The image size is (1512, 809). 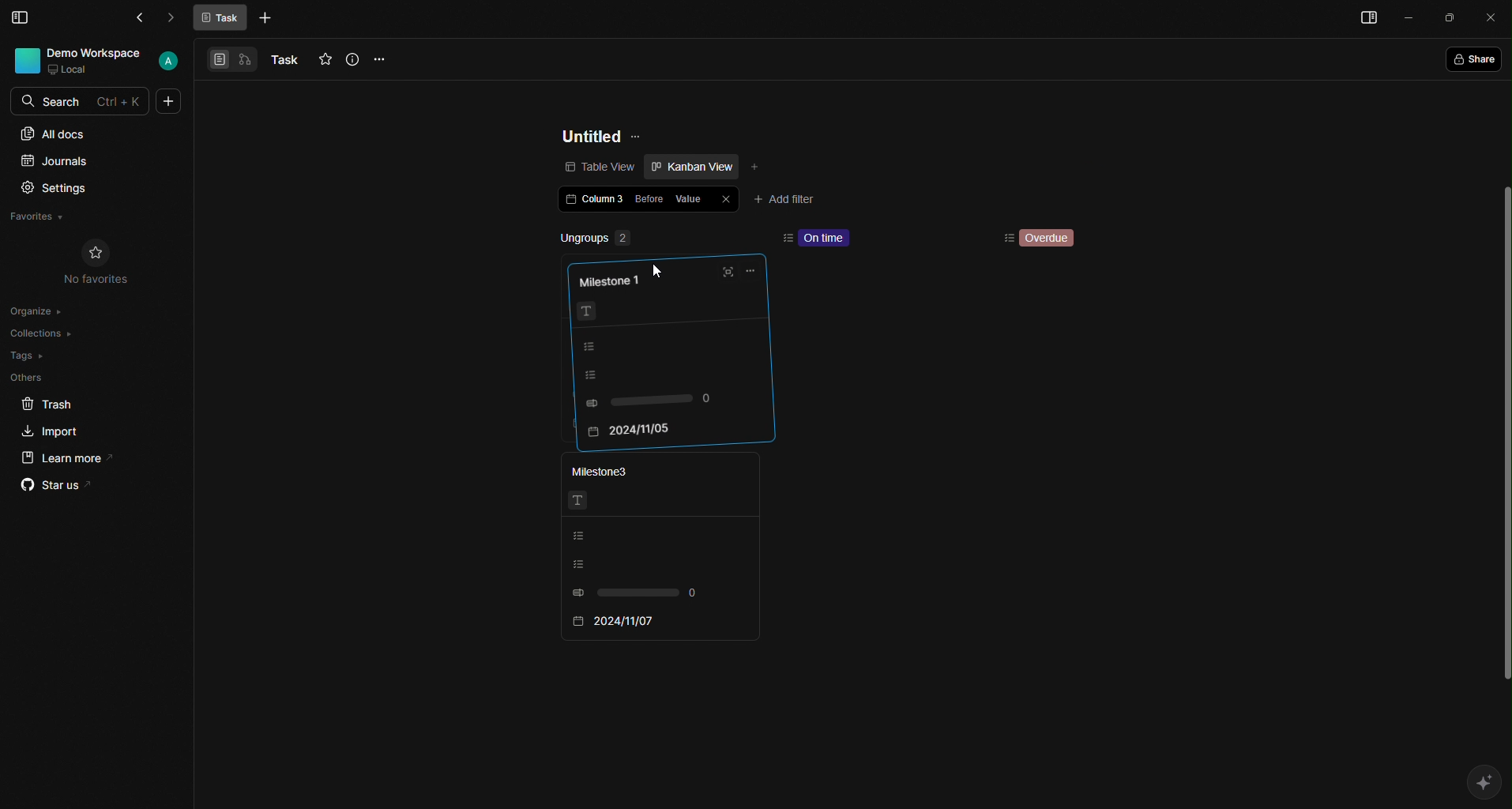 I want to click on Info, so click(x=351, y=58).